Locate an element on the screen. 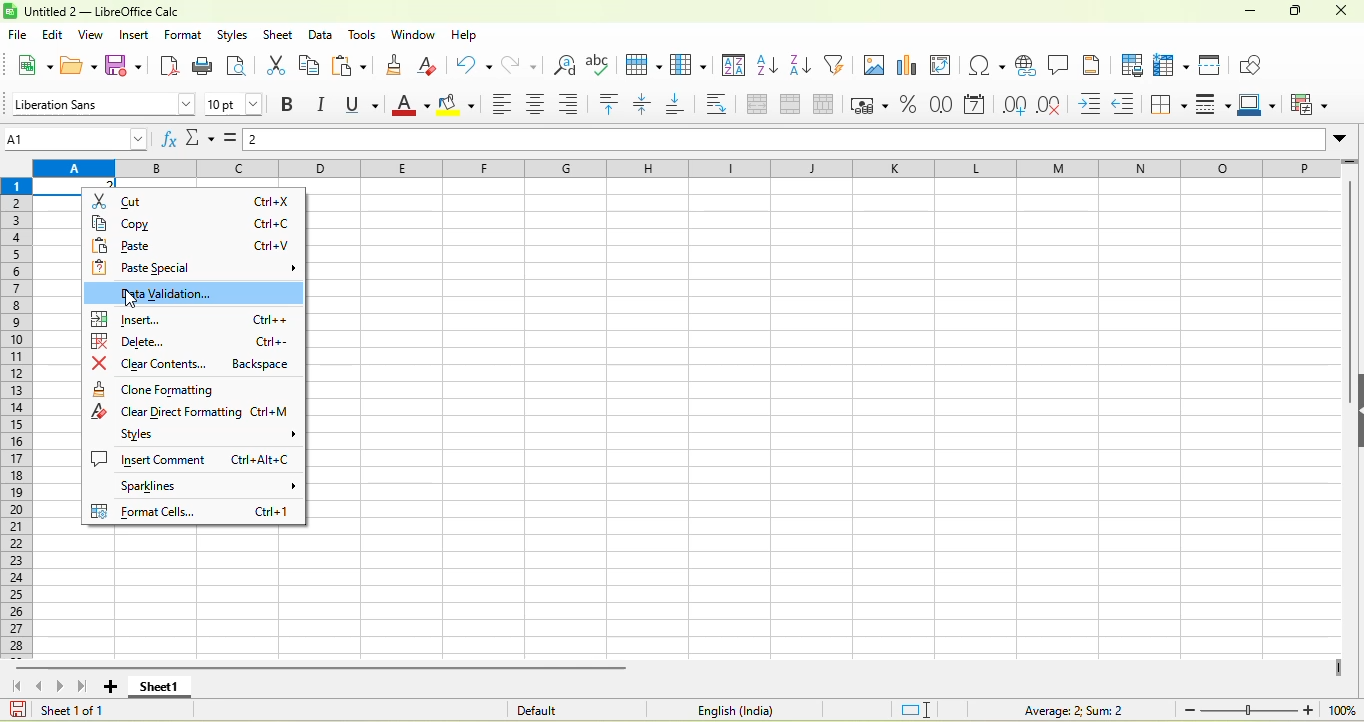 Image resolution: width=1364 pixels, height=722 pixels. delete decimal is located at coordinates (1058, 106).